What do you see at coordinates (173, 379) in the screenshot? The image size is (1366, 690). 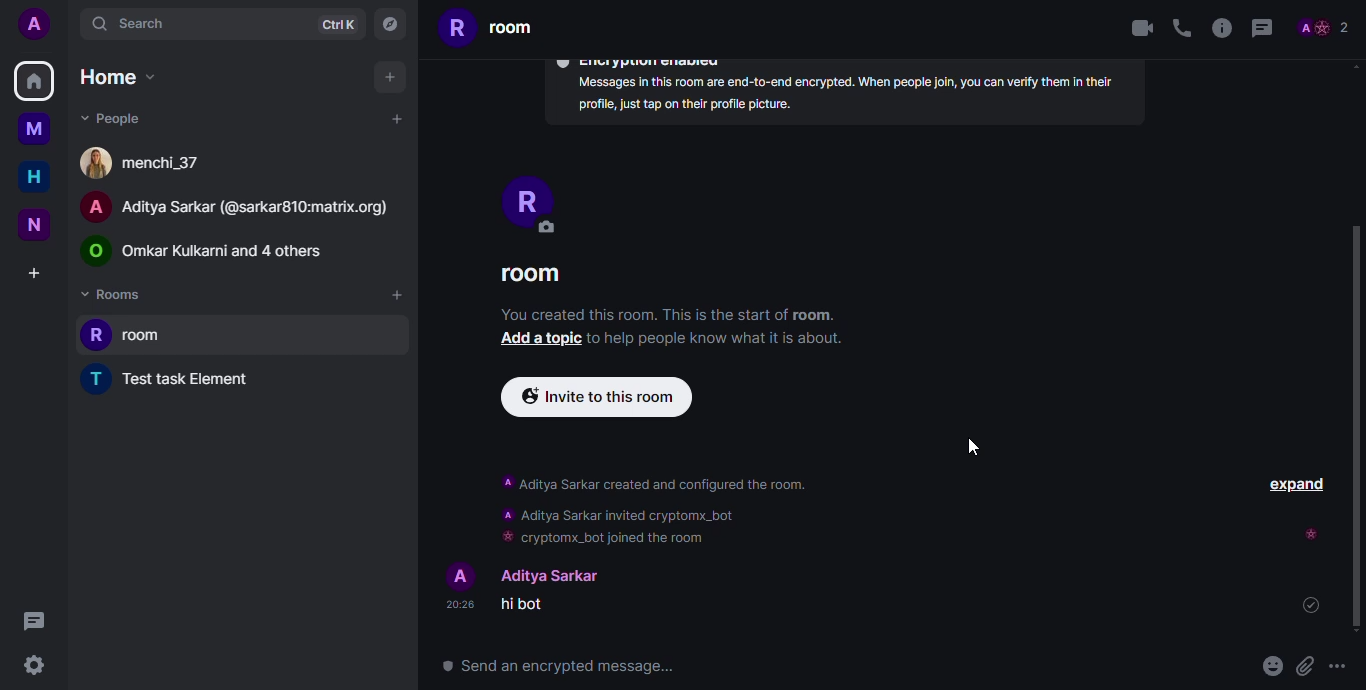 I see `test task element` at bounding box center [173, 379].